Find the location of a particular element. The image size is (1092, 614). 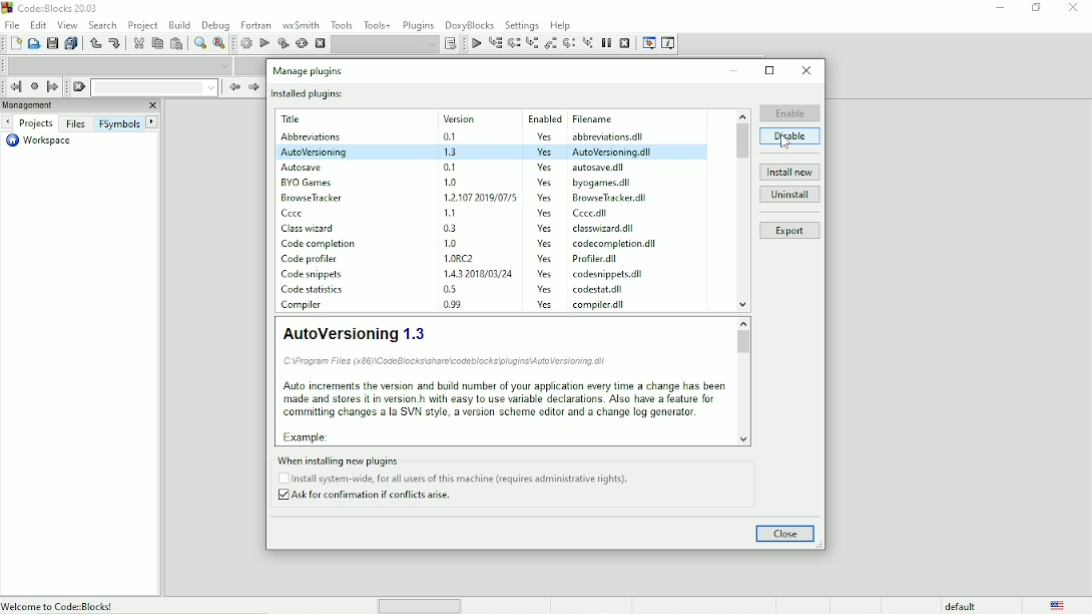

Yes is located at coordinates (546, 152).